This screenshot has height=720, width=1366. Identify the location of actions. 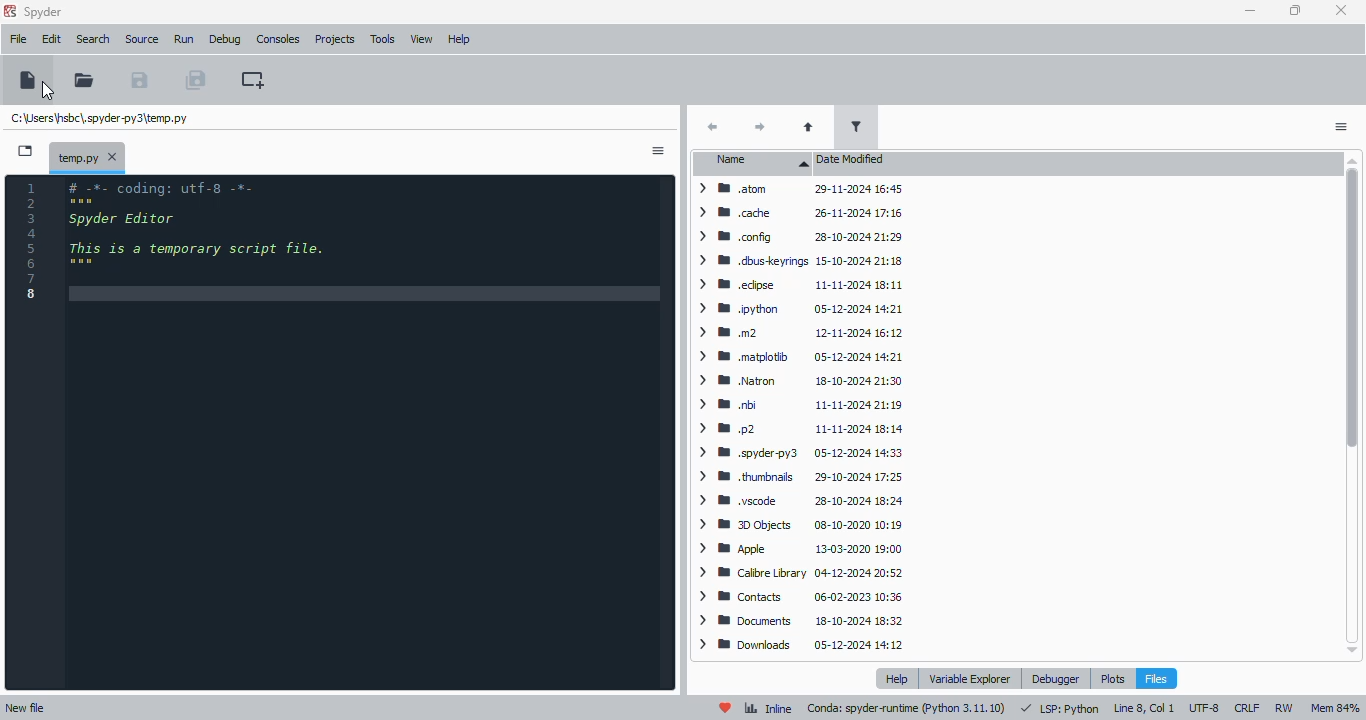
(658, 151).